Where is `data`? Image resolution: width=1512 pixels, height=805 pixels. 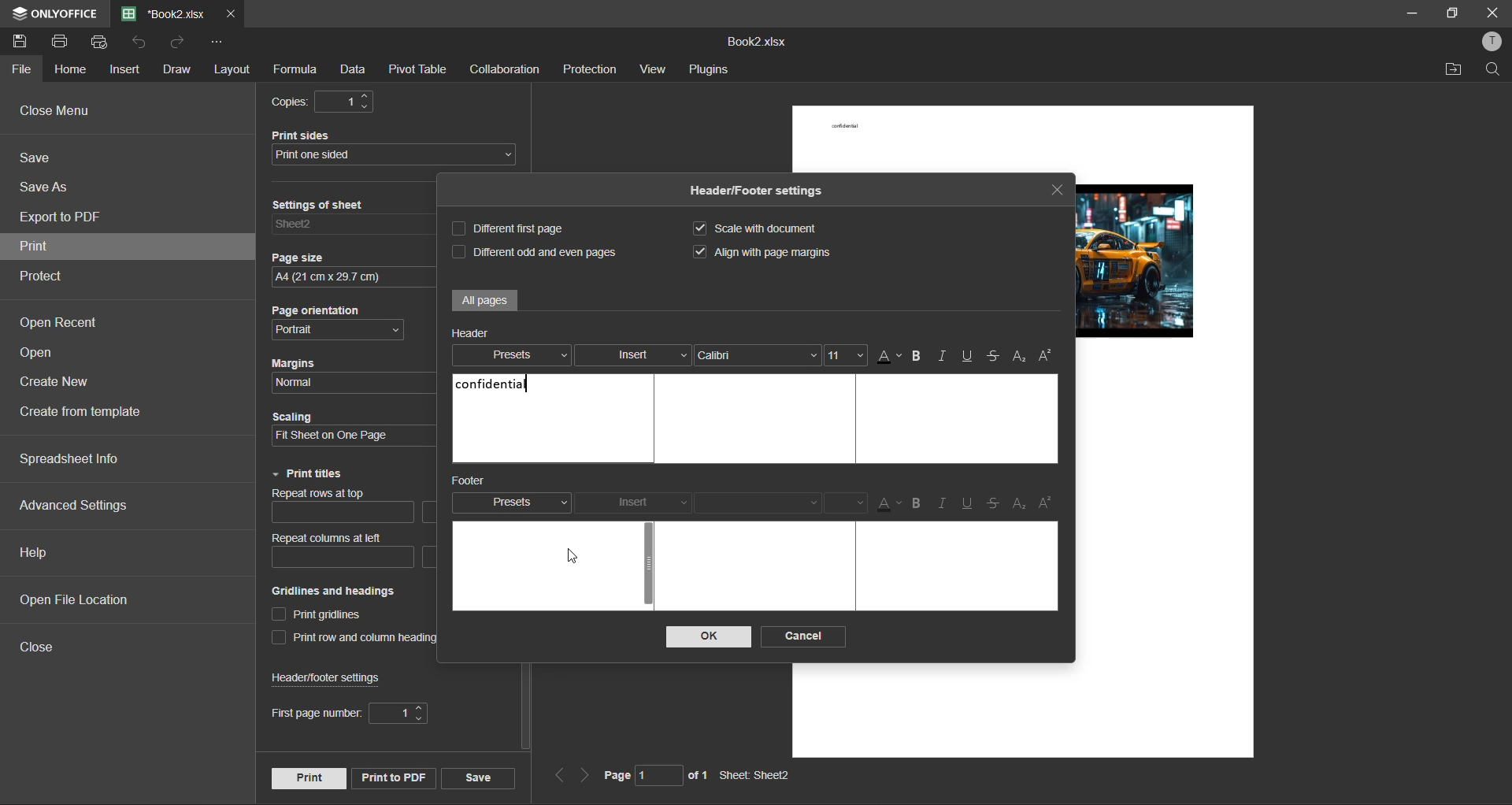
data is located at coordinates (353, 72).